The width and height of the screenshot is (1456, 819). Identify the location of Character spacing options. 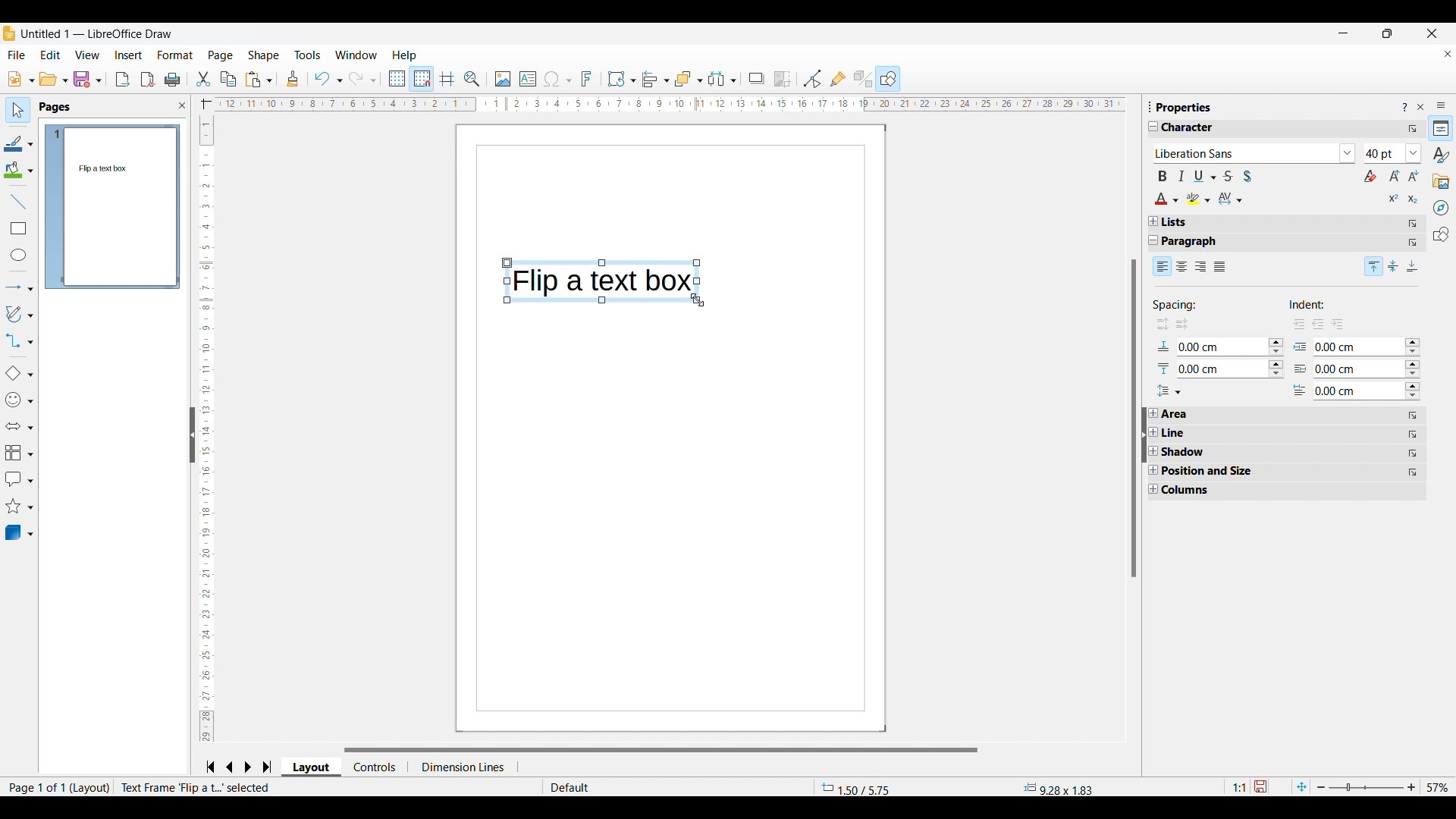
(1231, 199).